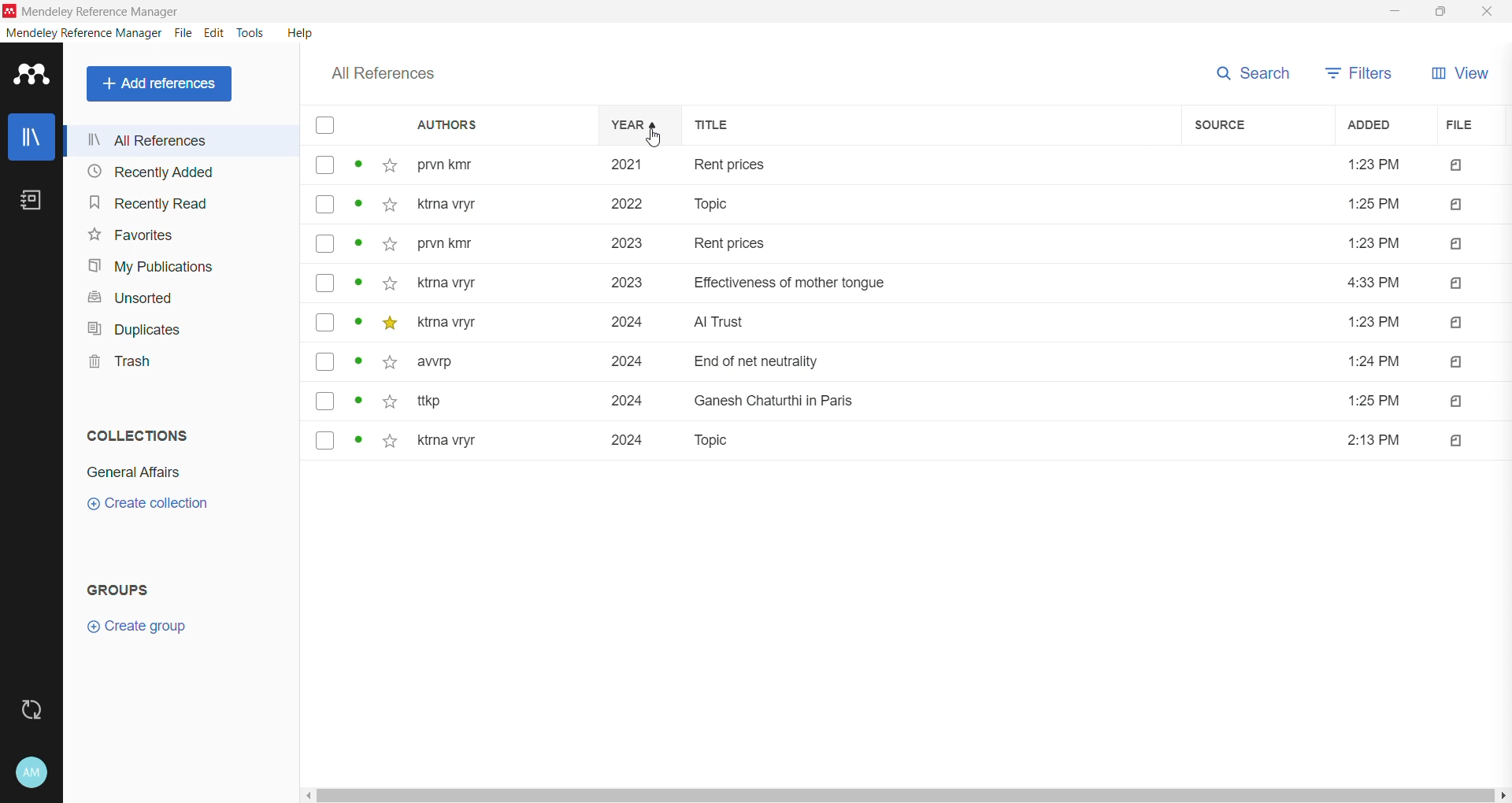 This screenshot has width=1512, height=803. I want to click on file type, so click(1458, 322).